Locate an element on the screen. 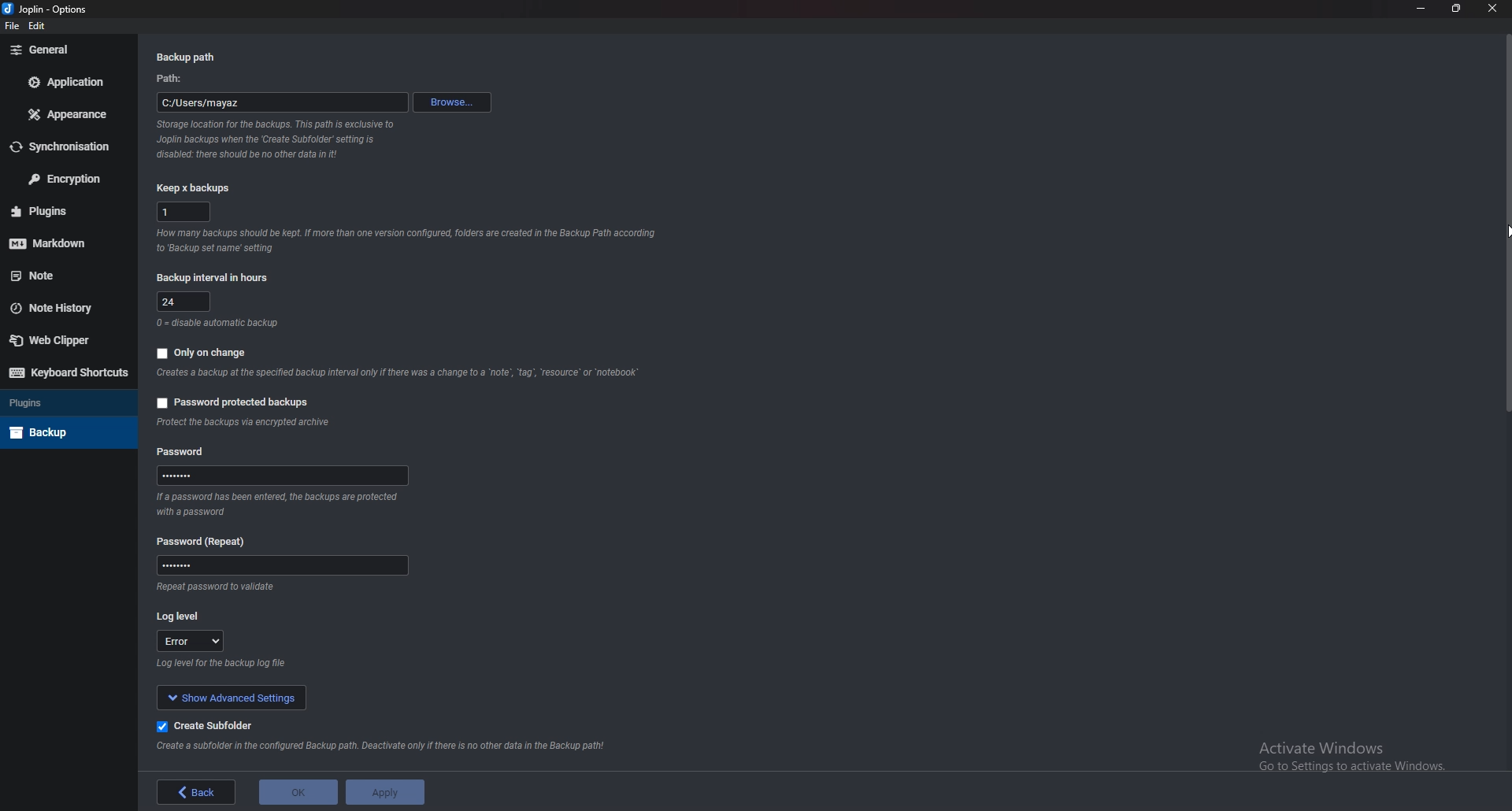  1 is located at coordinates (186, 212).